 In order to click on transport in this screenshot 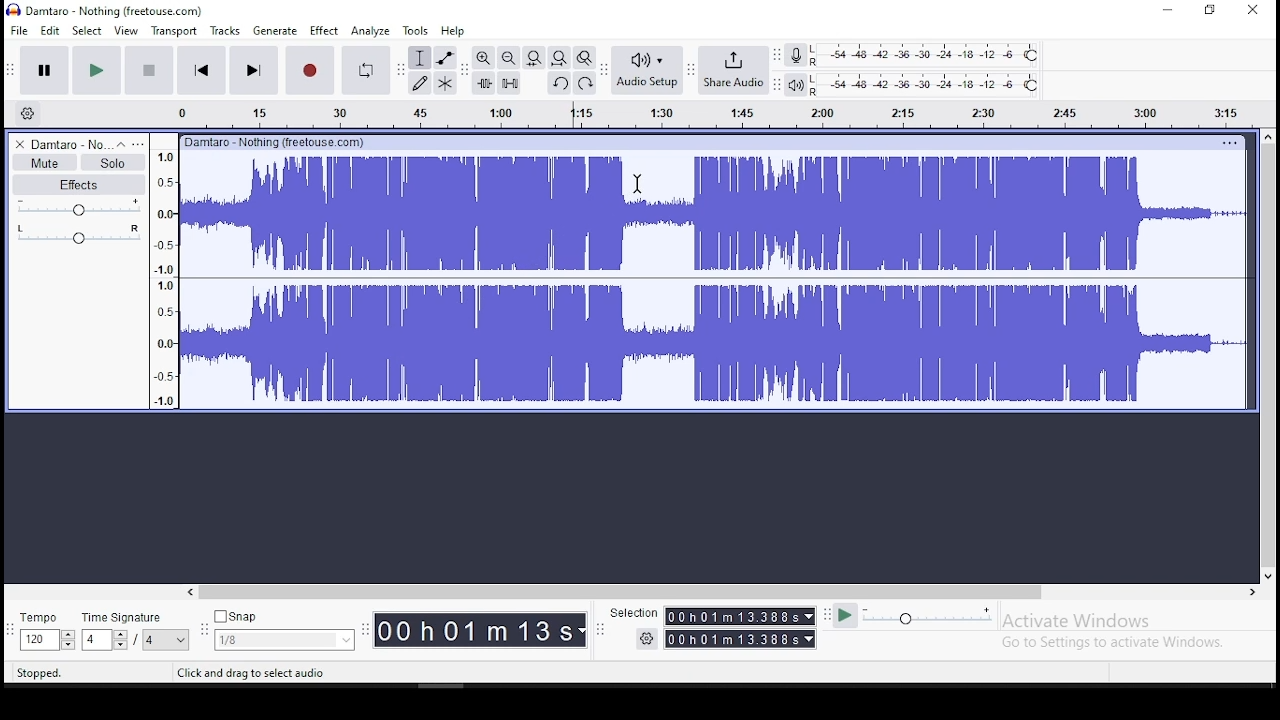, I will do `click(177, 30)`.